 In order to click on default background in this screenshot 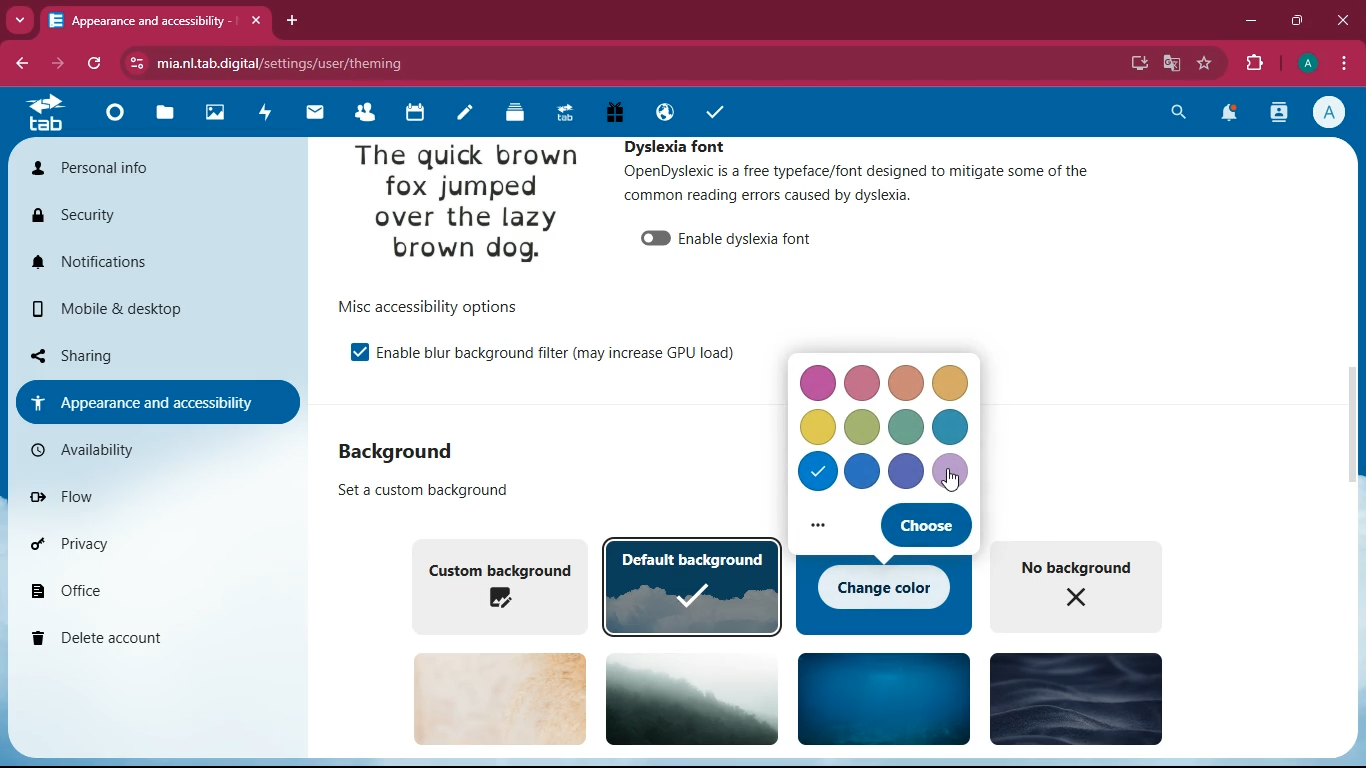, I will do `click(694, 586)`.